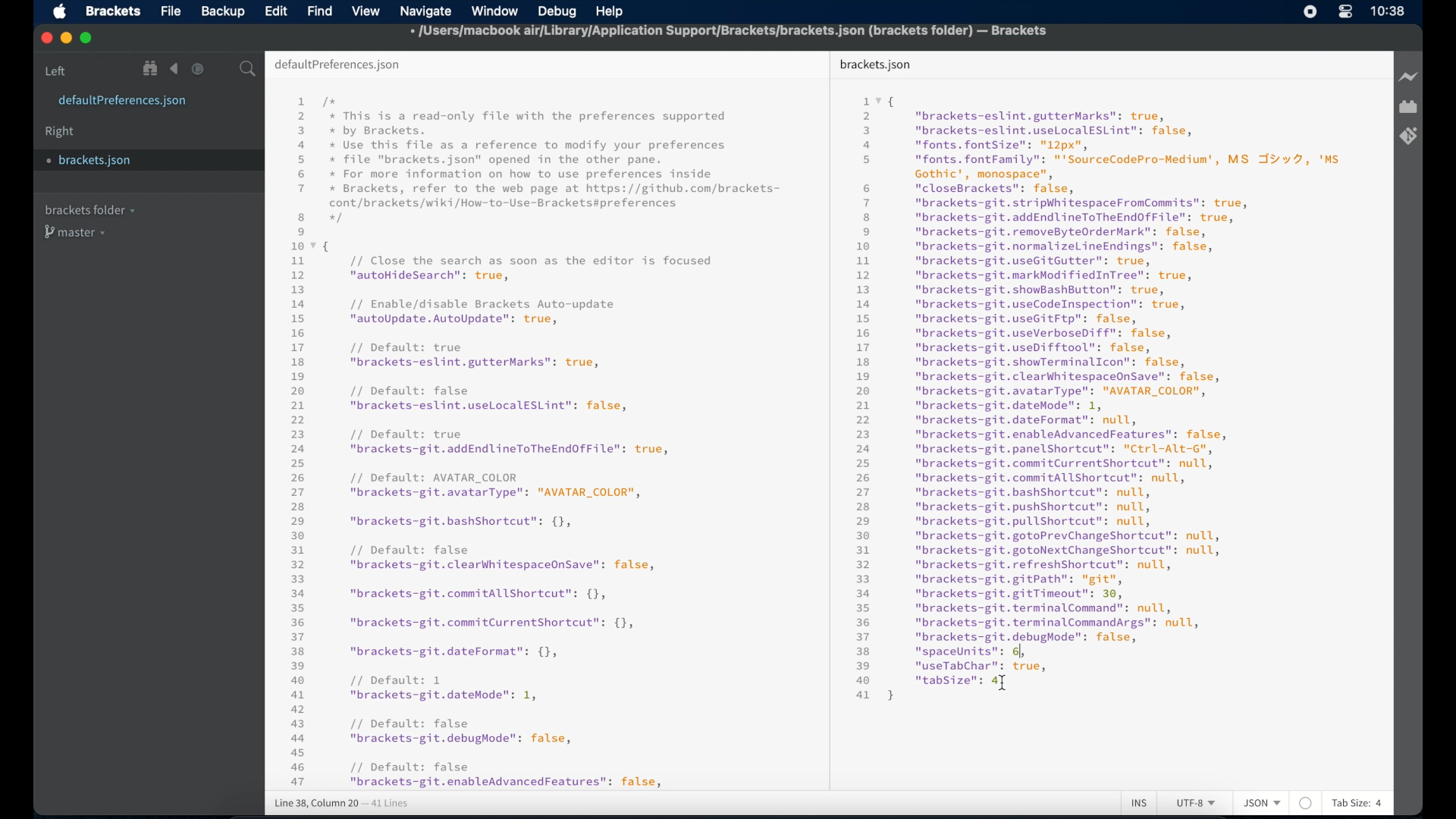 The height and width of the screenshot is (819, 1456). Describe the element at coordinates (114, 11) in the screenshot. I see `brackets` at that location.